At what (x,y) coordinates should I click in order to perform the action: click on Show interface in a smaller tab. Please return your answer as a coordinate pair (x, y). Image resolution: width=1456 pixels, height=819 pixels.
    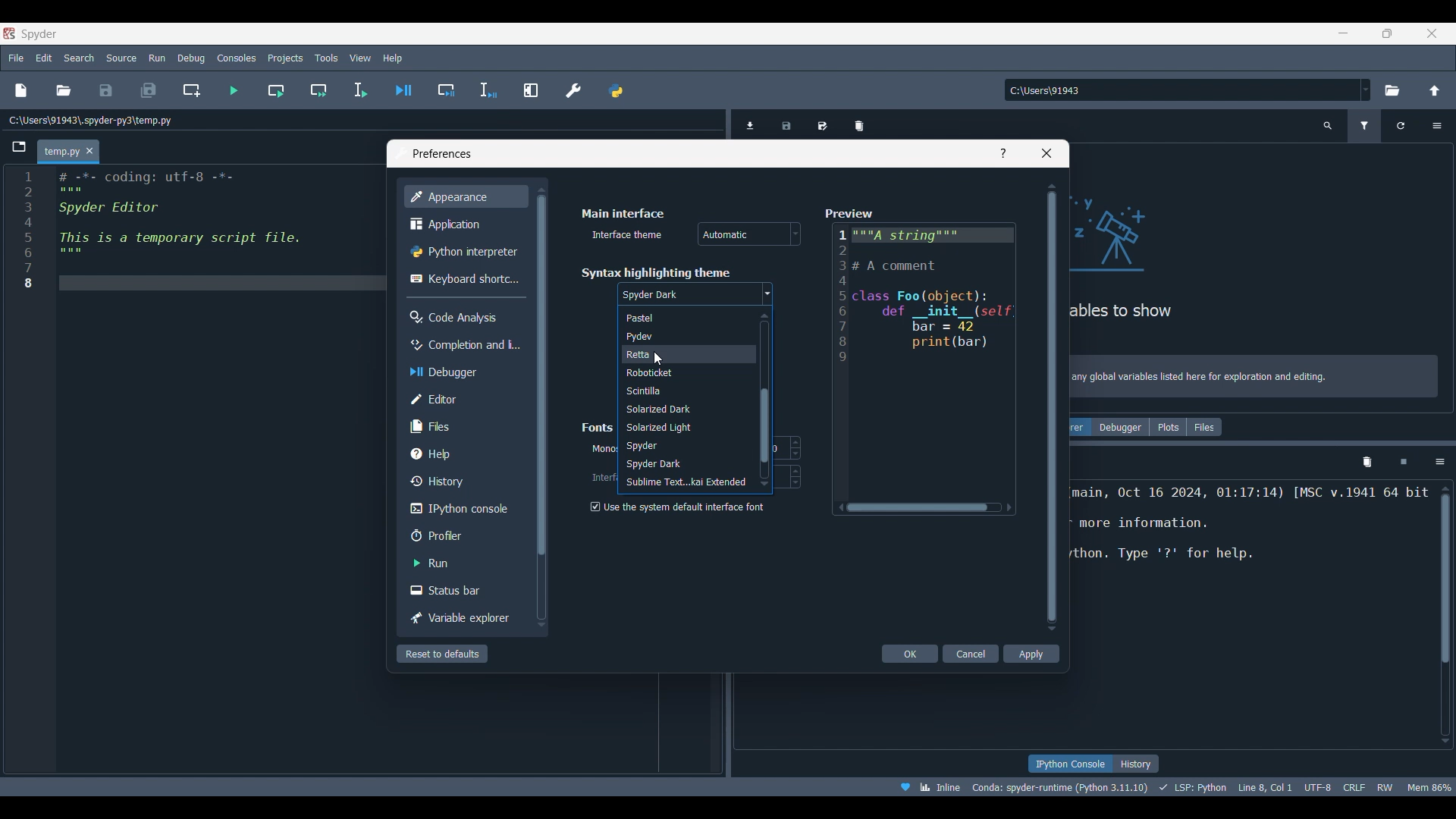
    Looking at the image, I should click on (1387, 33).